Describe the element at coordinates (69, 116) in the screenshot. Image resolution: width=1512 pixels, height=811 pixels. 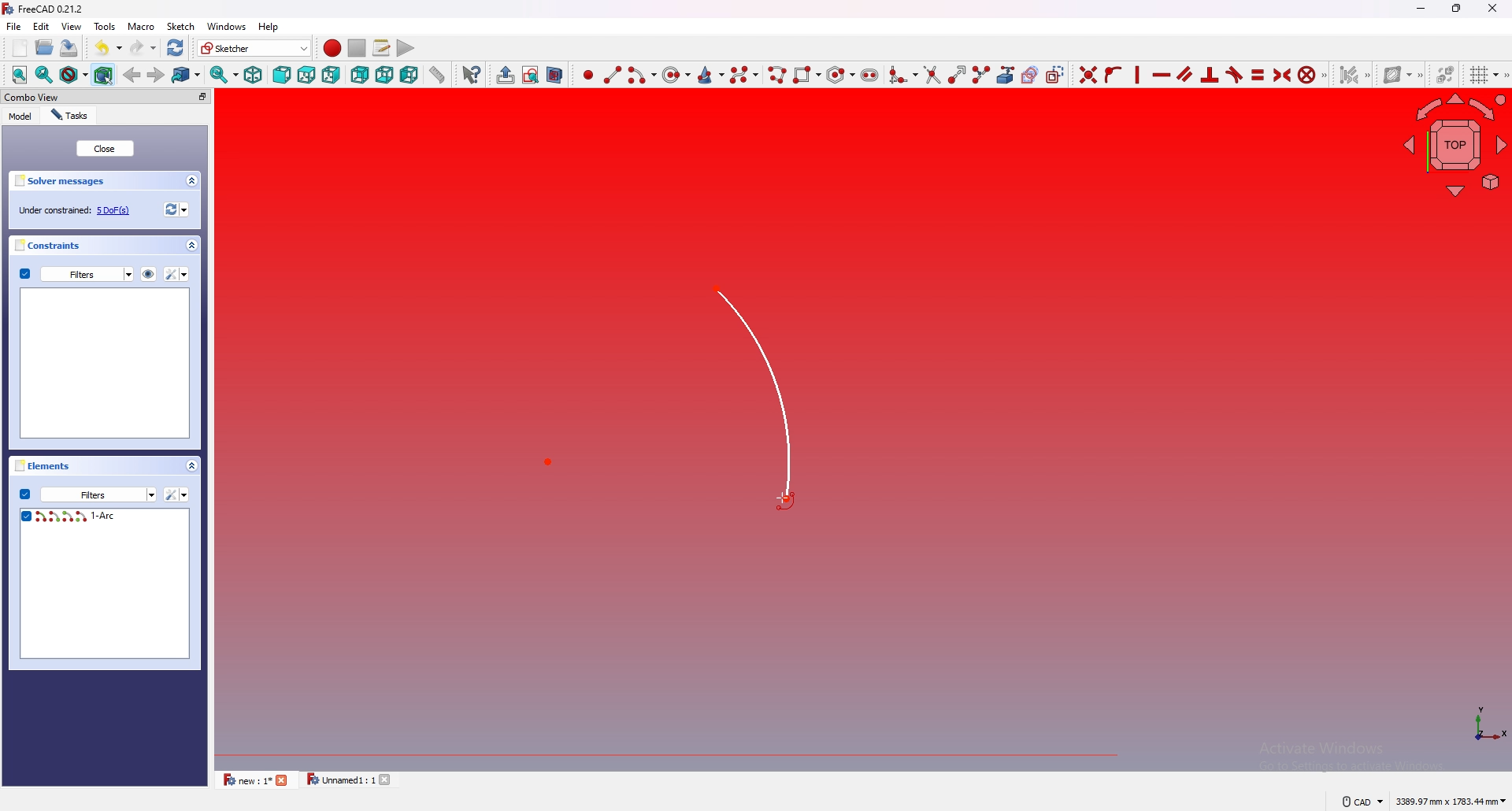
I see `tasks` at that location.